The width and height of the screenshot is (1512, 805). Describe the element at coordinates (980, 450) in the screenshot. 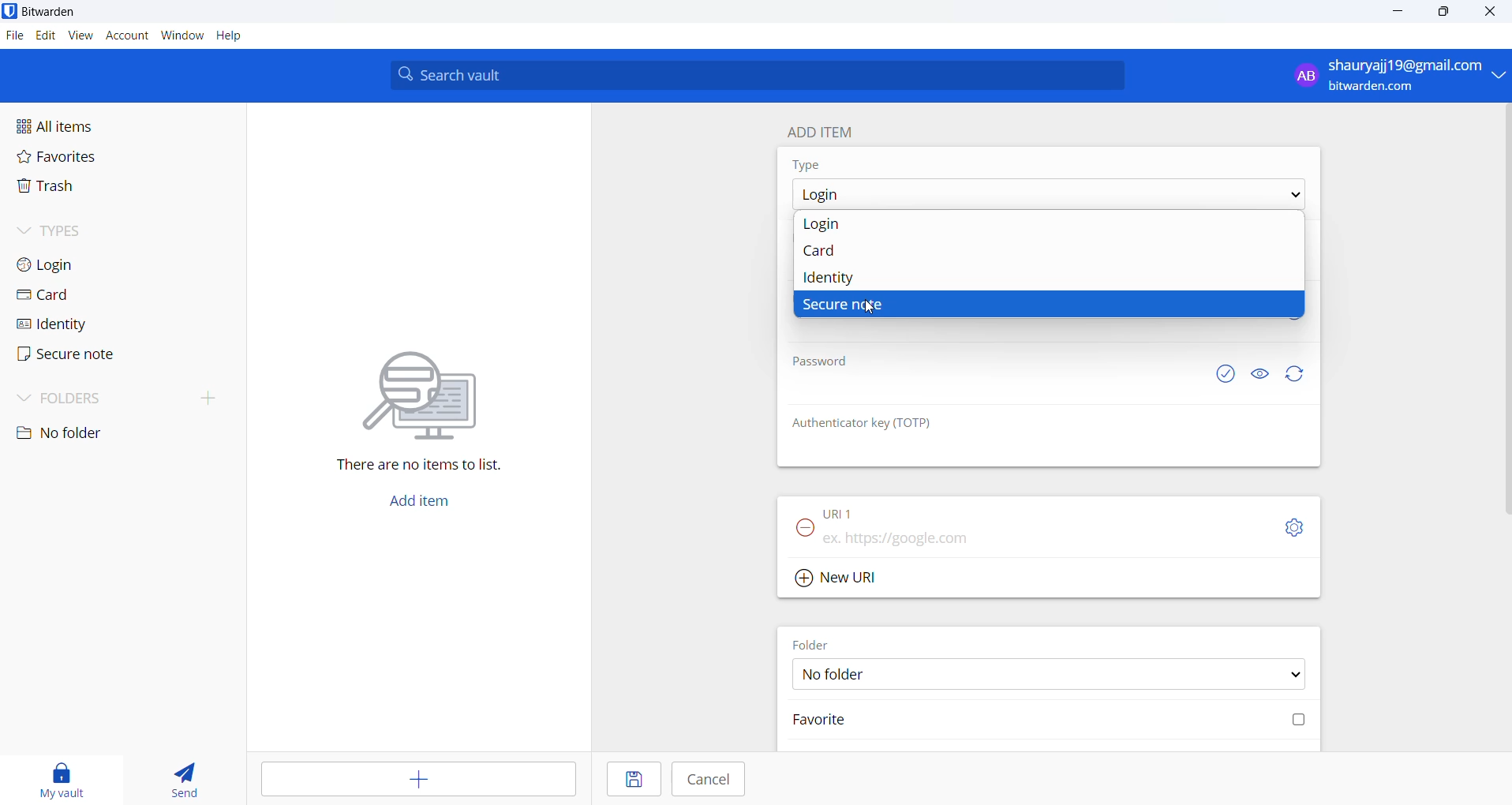

I see `otp text box` at that location.